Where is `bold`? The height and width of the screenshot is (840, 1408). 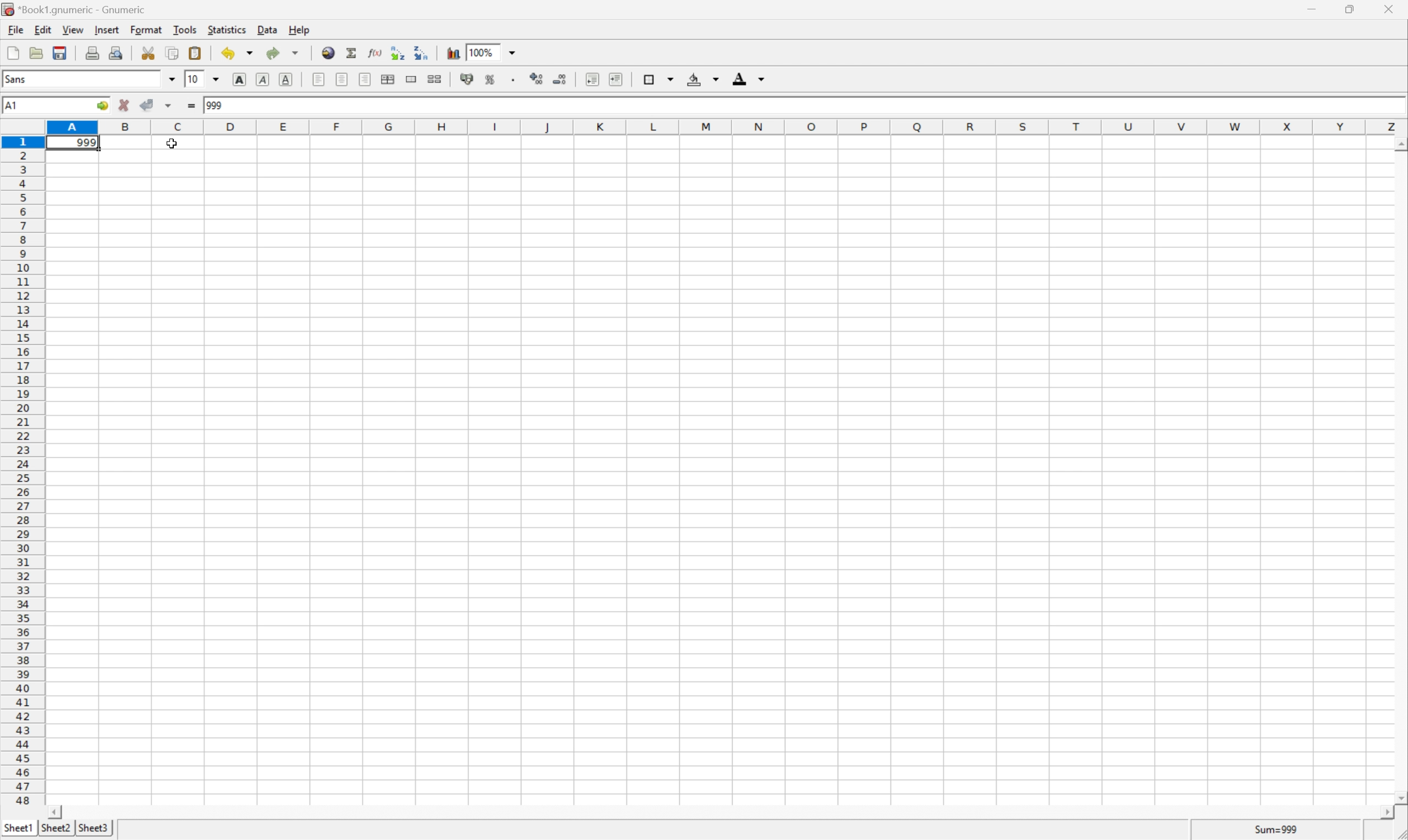 bold is located at coordinates (242, 78).